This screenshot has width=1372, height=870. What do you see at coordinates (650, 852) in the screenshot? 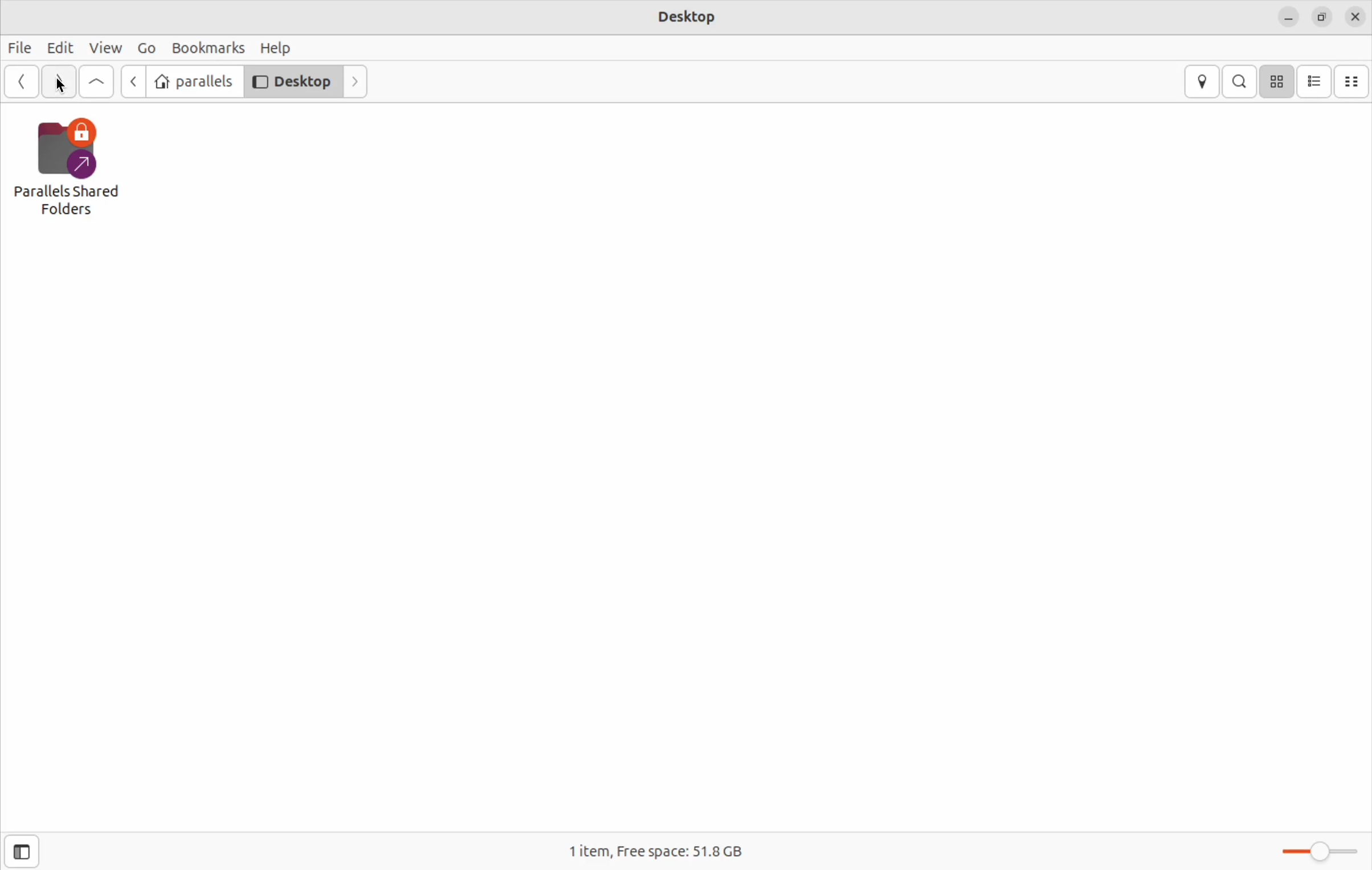
I see `9 items free space 51.8 Gb` at bounding box center [650, 852].